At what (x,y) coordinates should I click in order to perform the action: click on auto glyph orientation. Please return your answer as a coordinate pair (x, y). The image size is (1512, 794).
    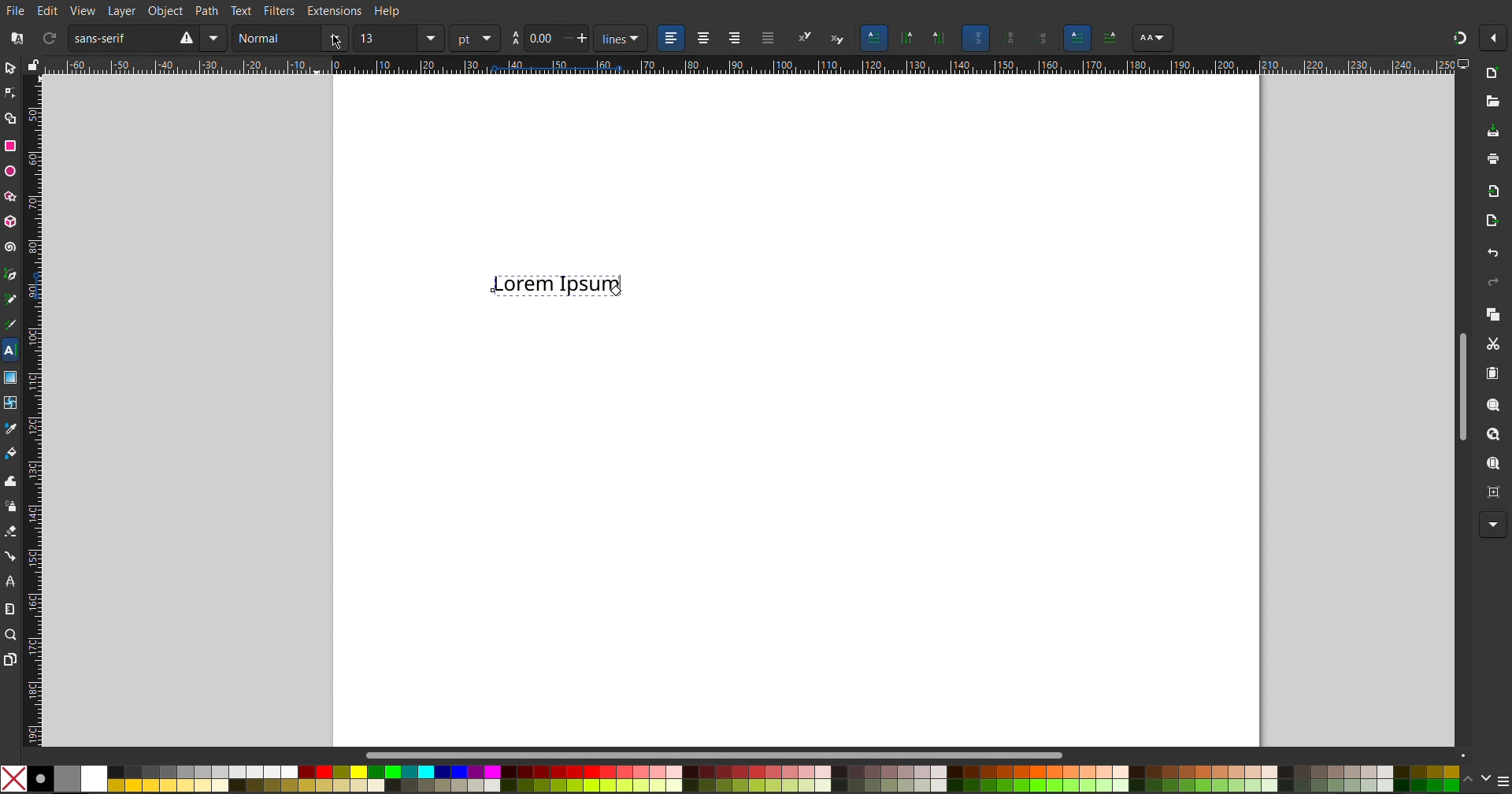
    Looking at the image, I should click on (975, 38).